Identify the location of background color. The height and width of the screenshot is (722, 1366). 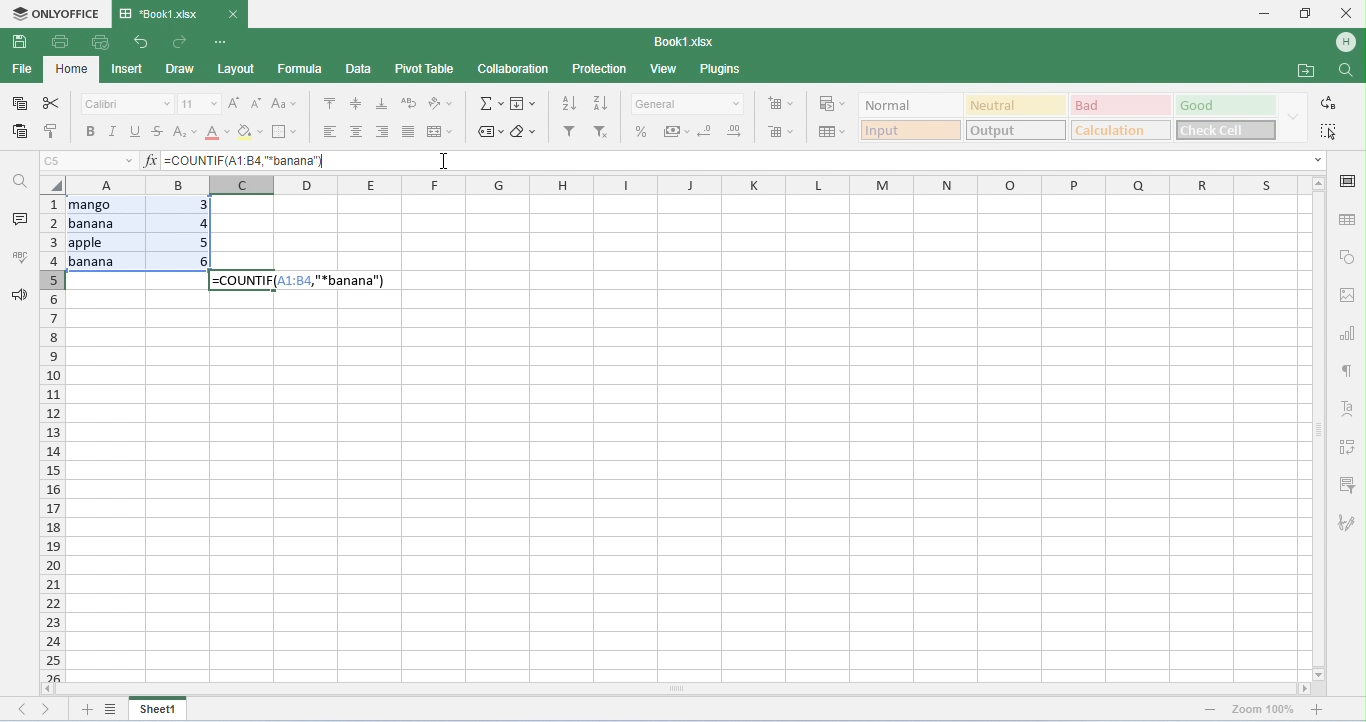
(248, 133).